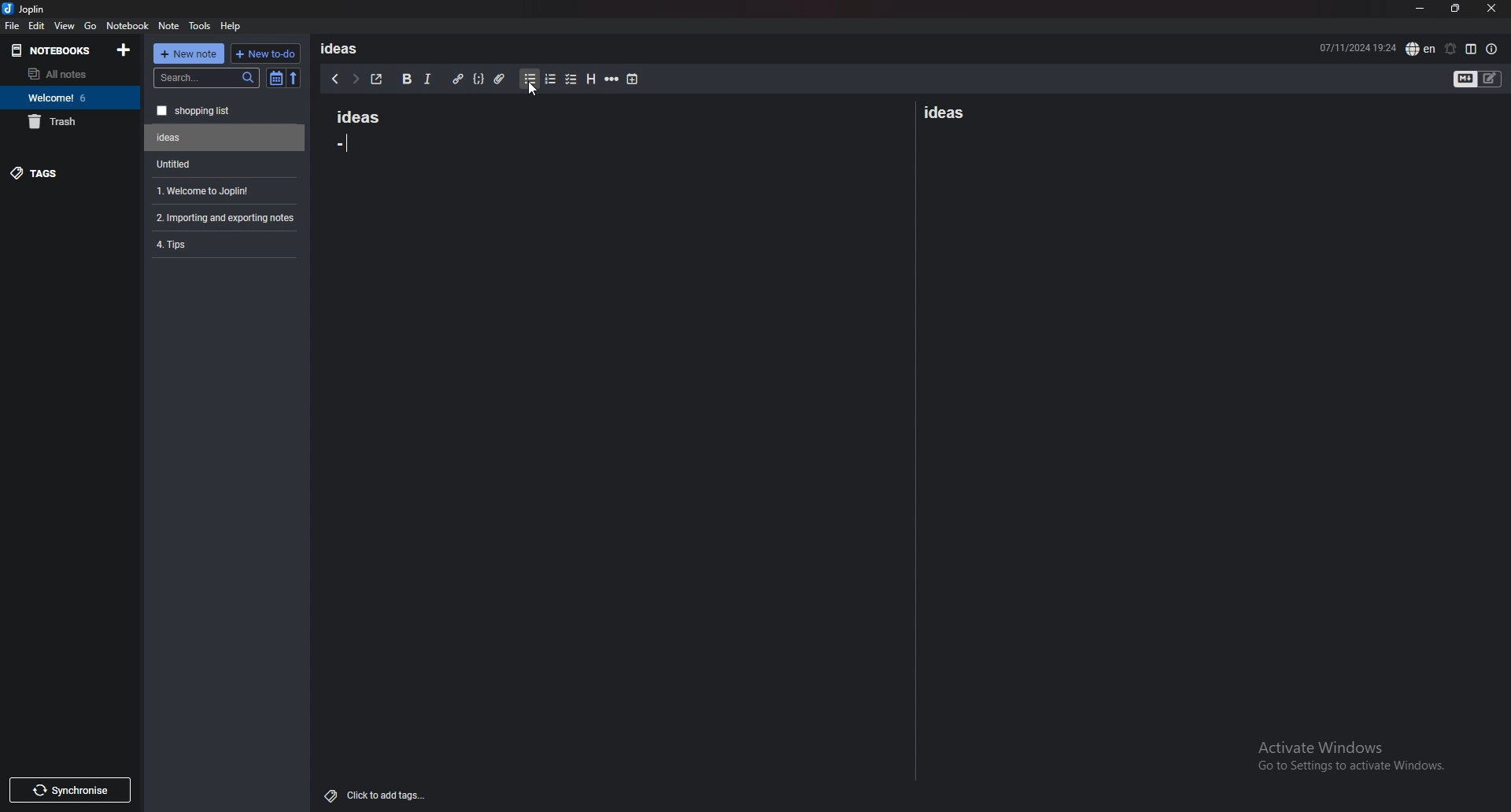 This screenshot has height=812, width=1511. Describe the element at coordinates (1455, 9) in the screenshot. I see `resize` at that location.